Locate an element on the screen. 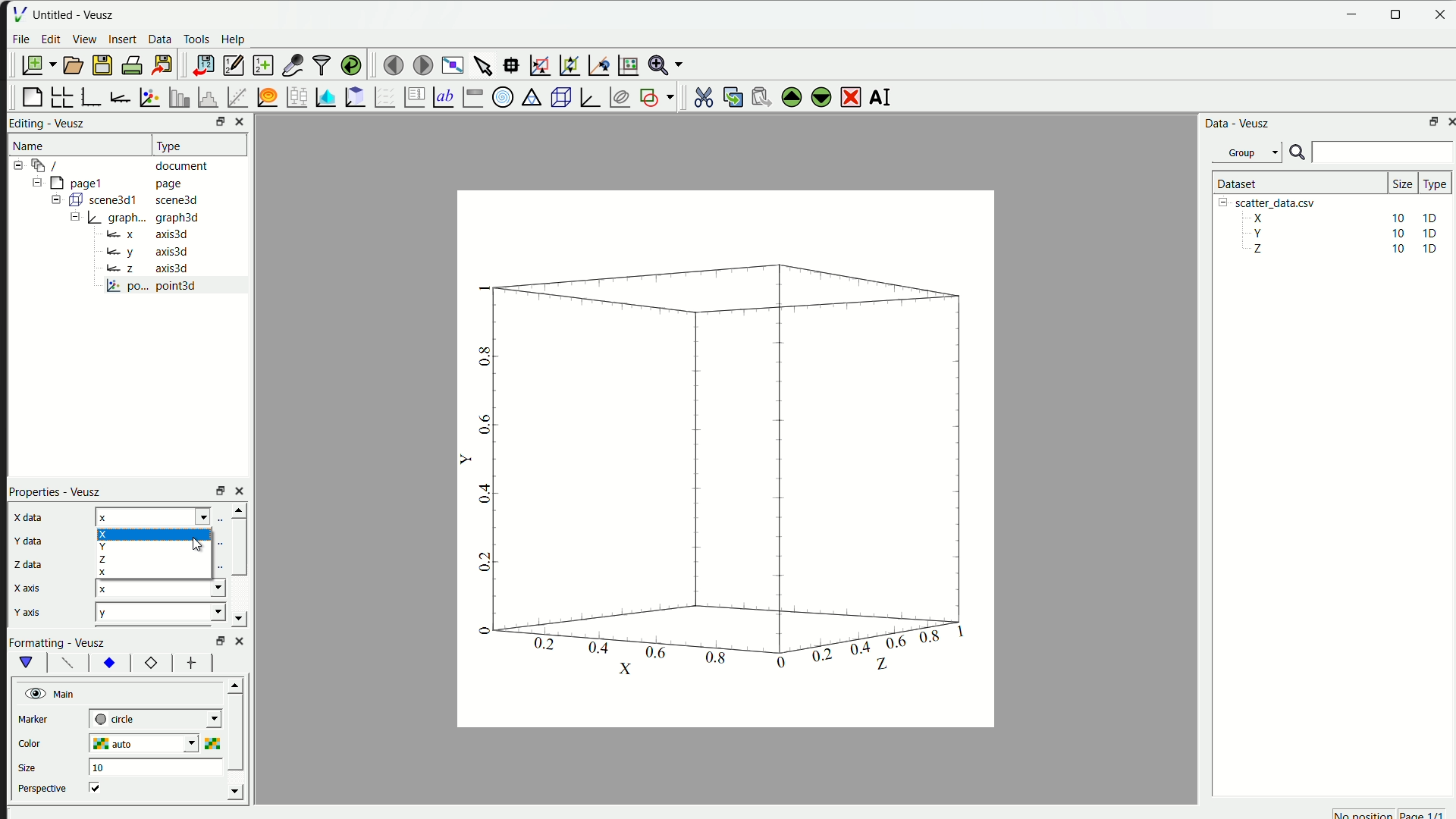 The image size is (1456, 819). Zoom menu is located at coordinates (664, 64).